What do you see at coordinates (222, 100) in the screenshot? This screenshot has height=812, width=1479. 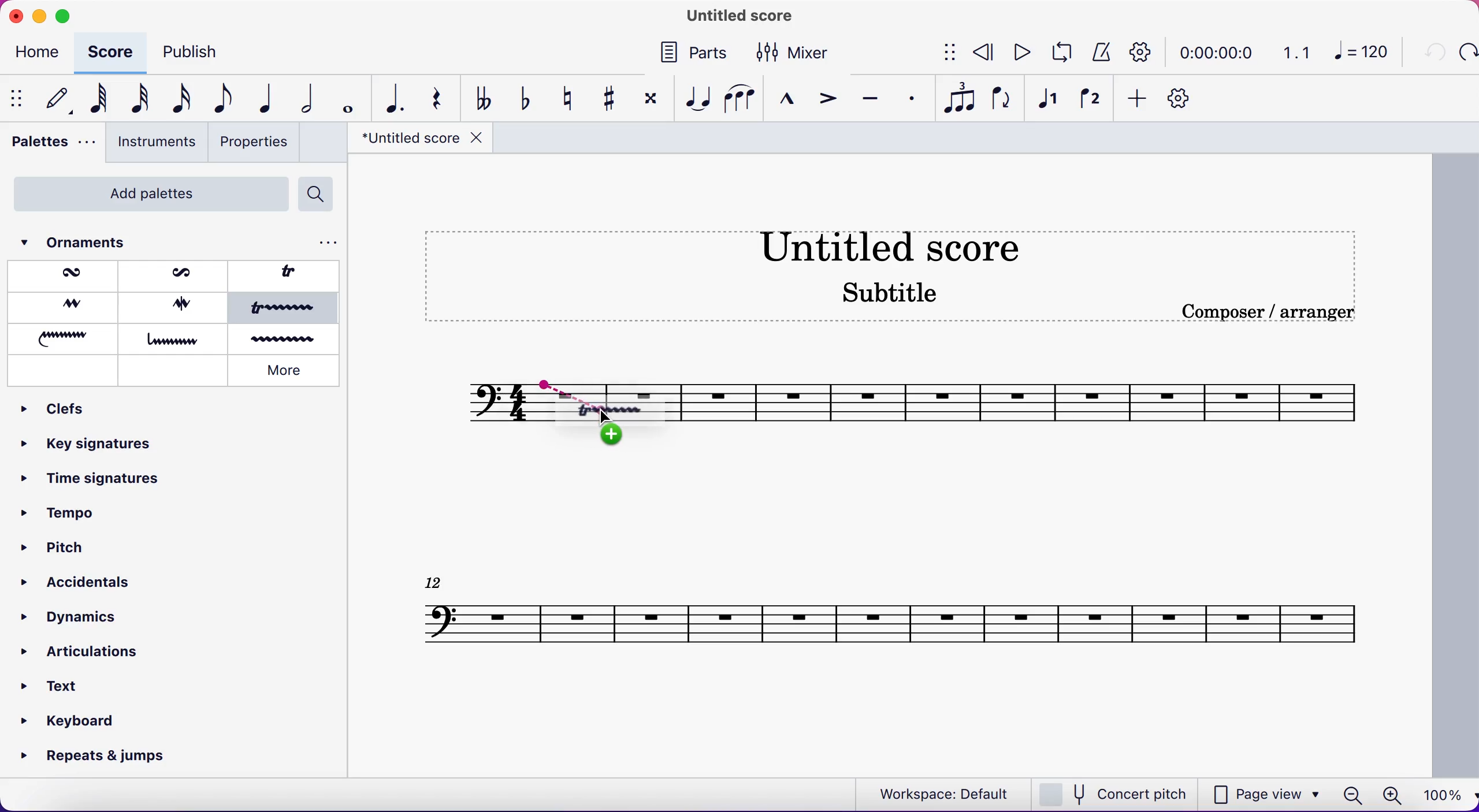 I see `eight note` at bounding box center [222, 100].